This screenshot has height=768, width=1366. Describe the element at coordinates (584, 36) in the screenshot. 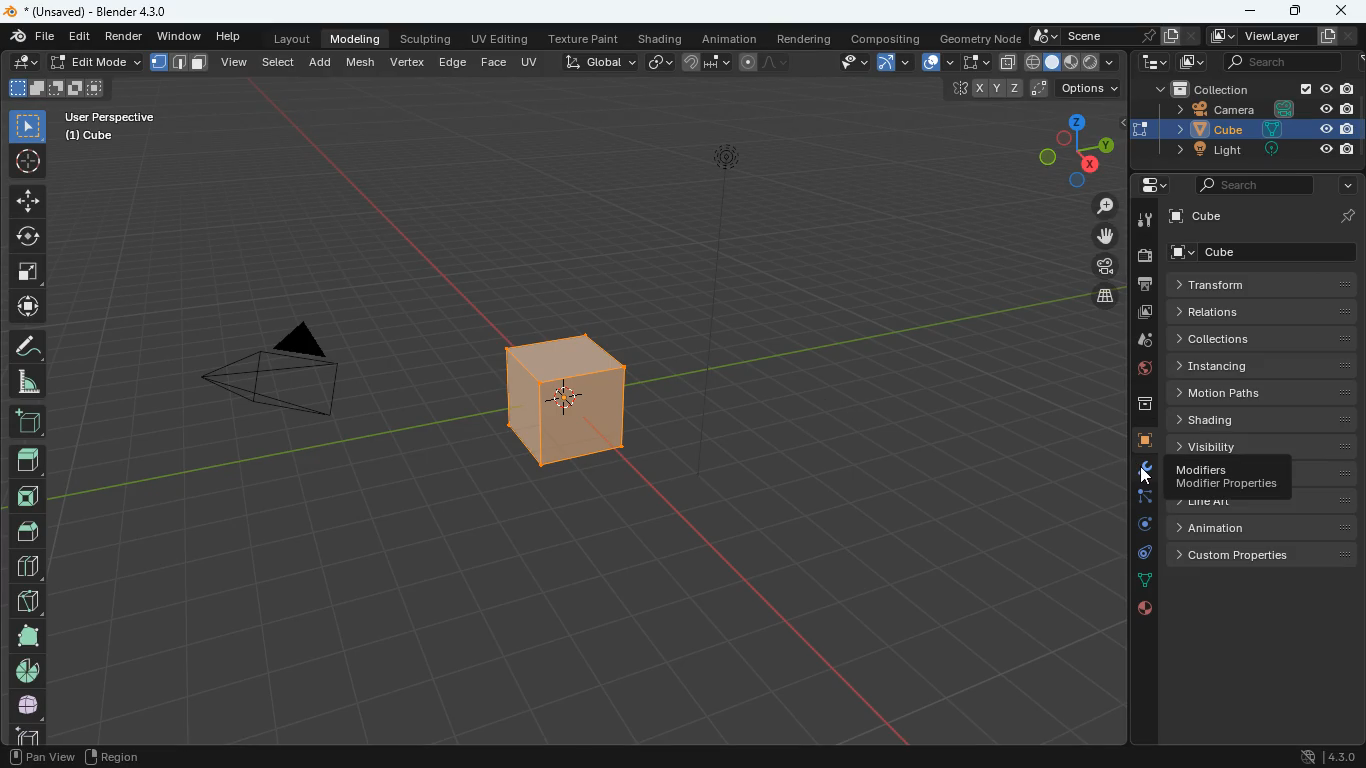

I see `texture paint` at that location.